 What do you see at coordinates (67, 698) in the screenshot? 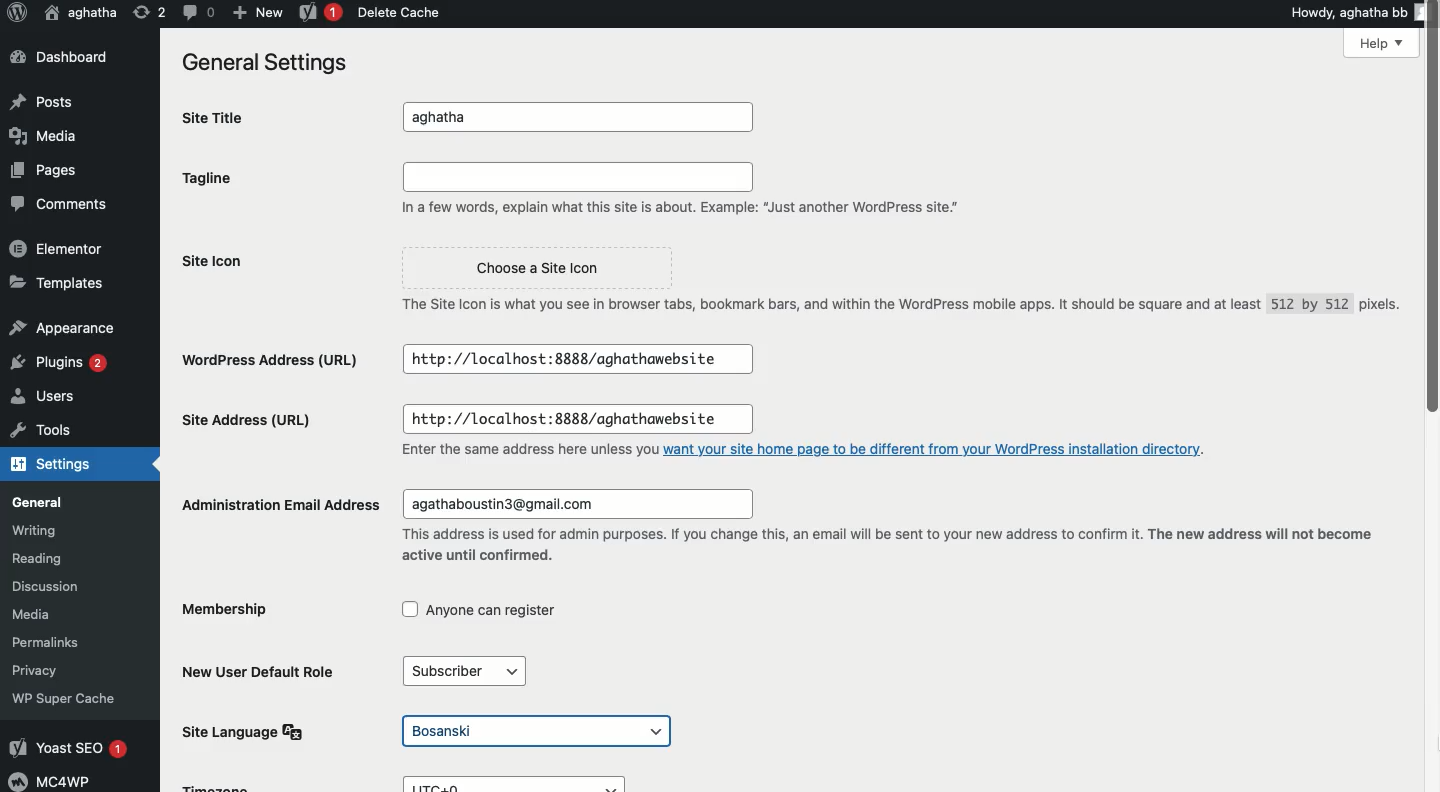
I see `WP Super Cache` at bounding box center [67, 698].